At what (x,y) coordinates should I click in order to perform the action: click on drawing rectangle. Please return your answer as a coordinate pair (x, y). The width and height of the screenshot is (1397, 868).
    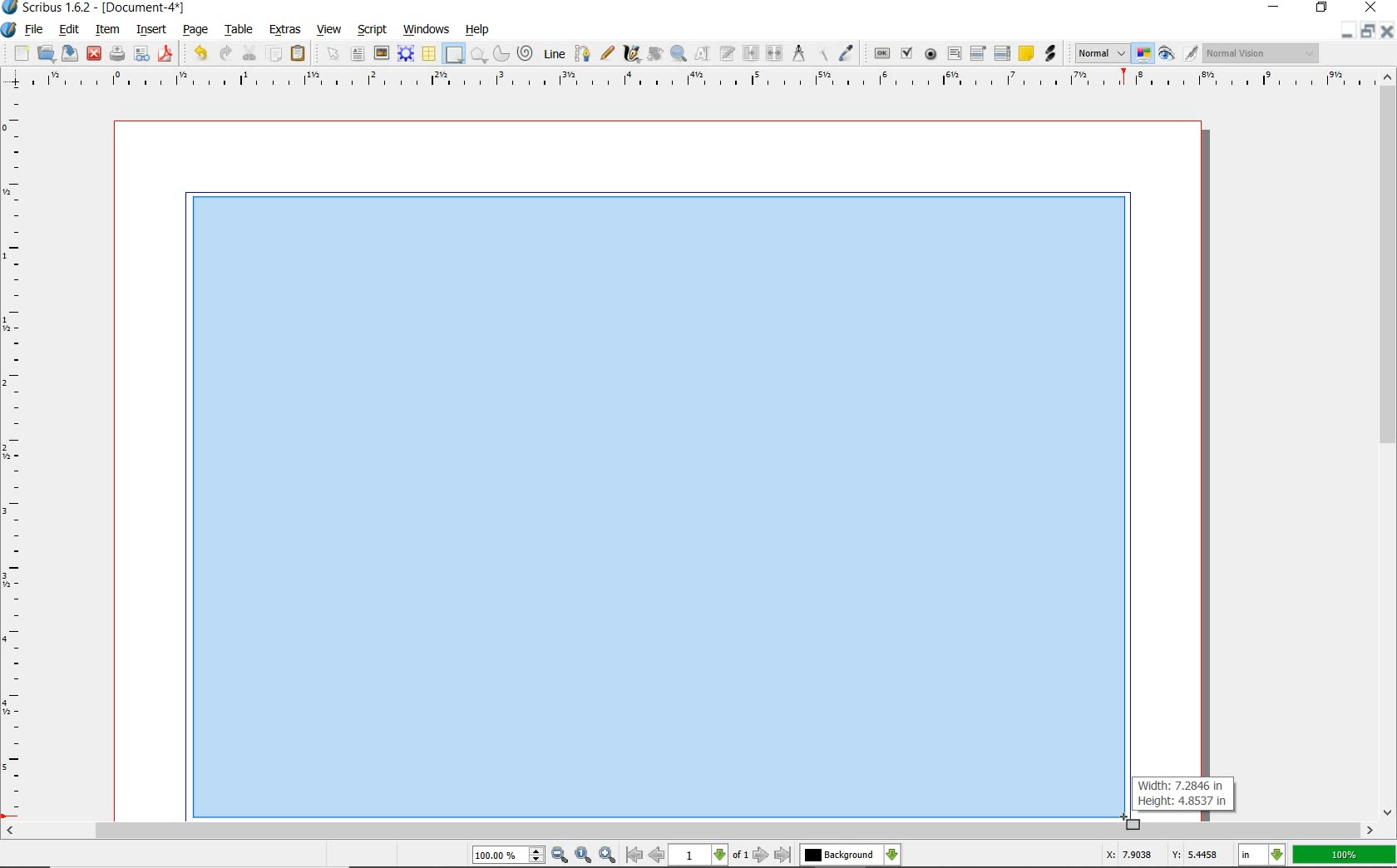
    Looking at the image, I should click on (647, 501).